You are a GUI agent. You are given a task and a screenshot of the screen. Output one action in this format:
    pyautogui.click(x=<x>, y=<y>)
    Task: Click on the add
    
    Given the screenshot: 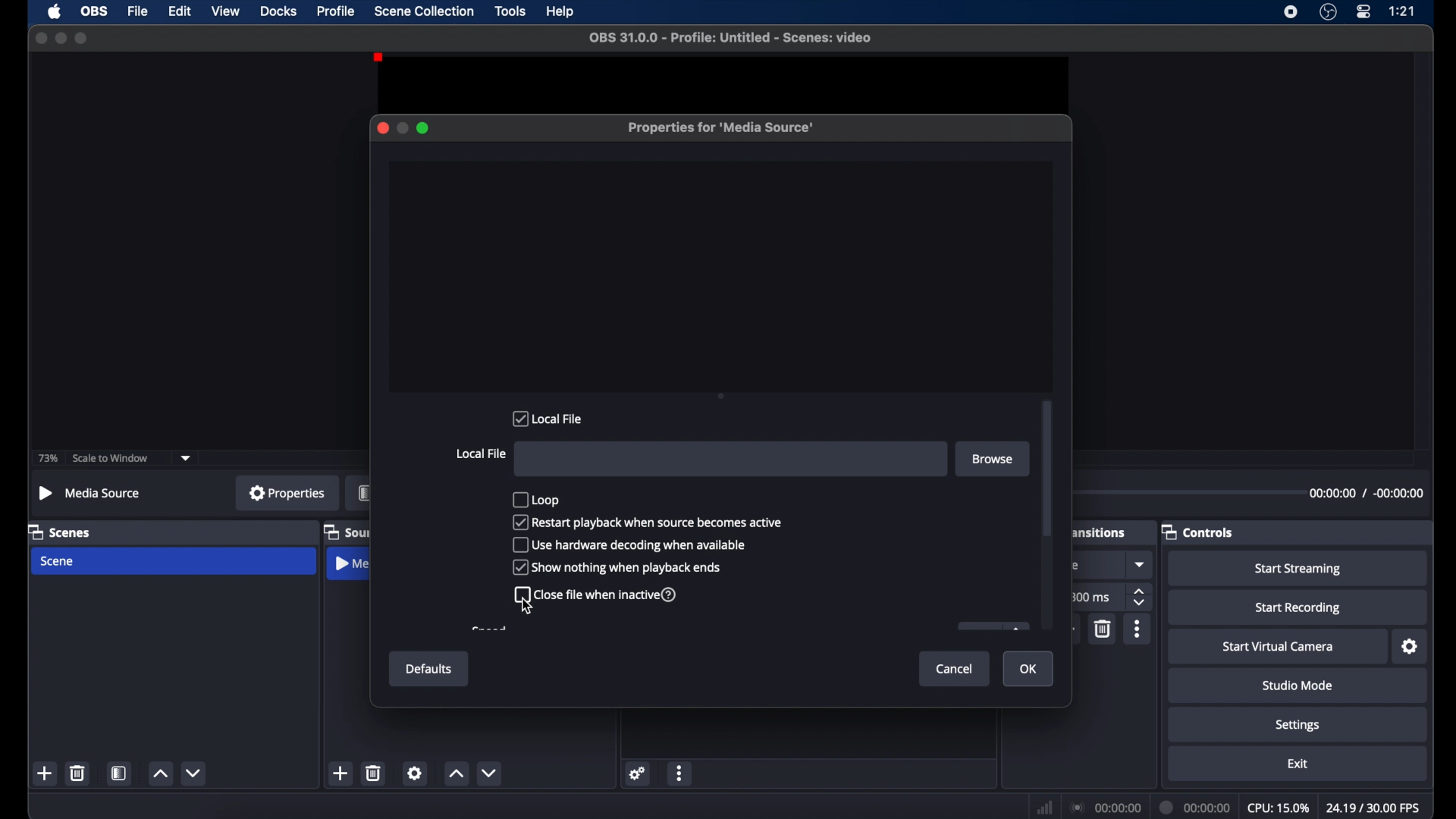 What is the action you would take?
    pyautogui.click(x=45, y=773)
    